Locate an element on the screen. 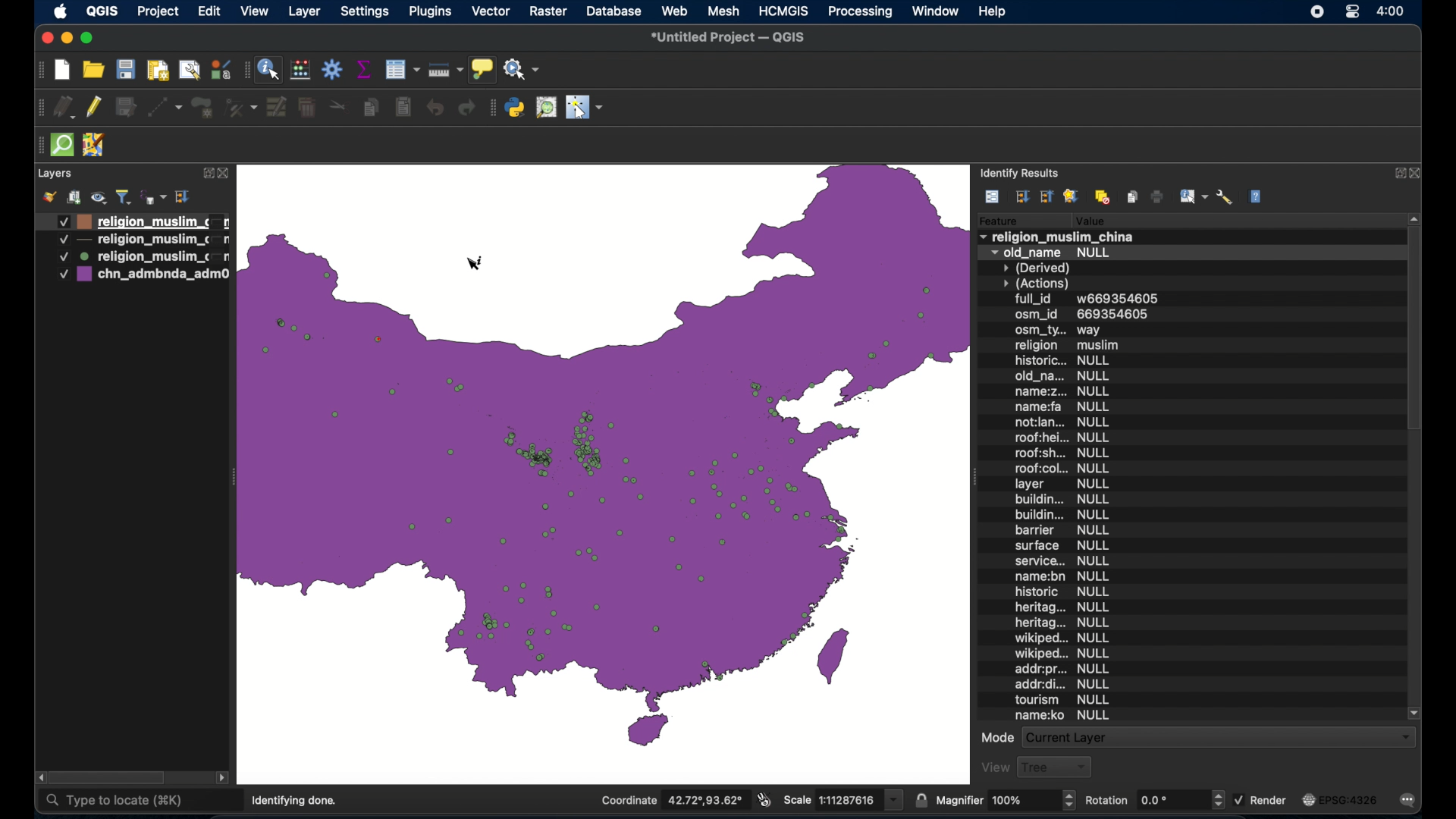 The width and height of the screenshot is (1456, 819). minimize is located at coordinates (66, 38).